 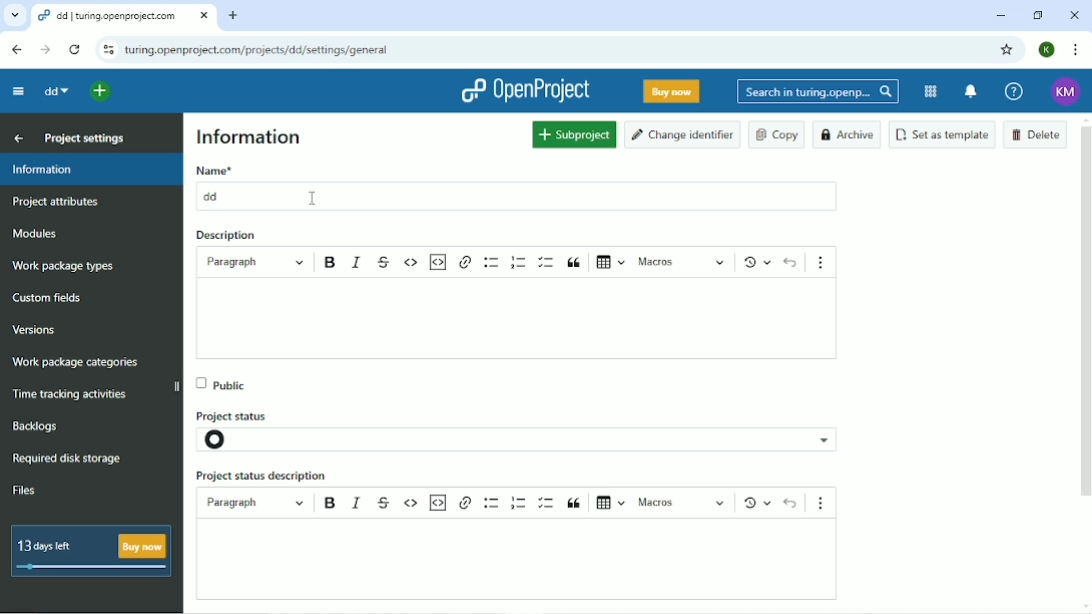 What do you see at coordinates (1014, 91) in the screenshot?
I see `Help` at bounding box center [1014, 91].